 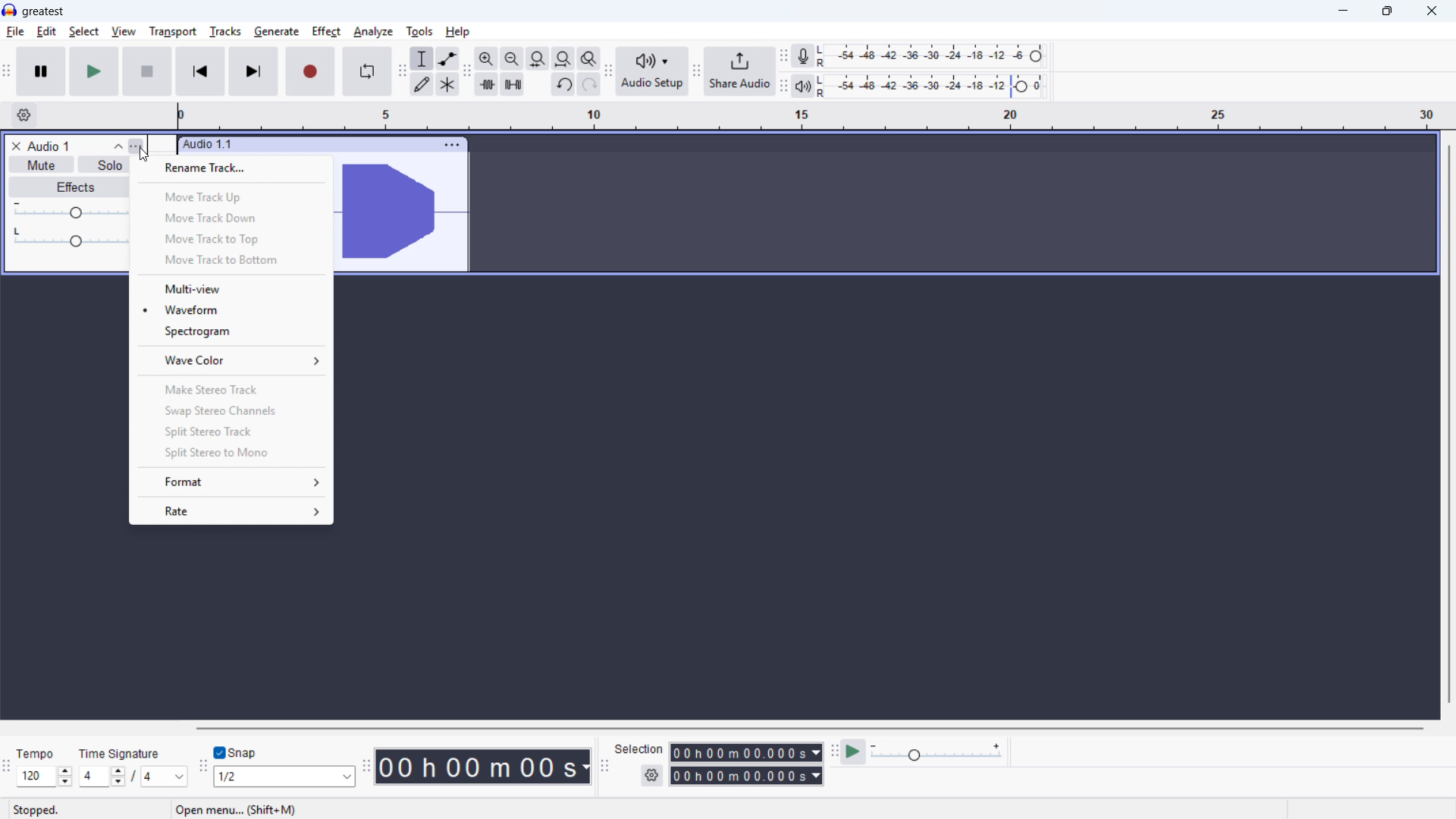 I want to click on silence audio selection, so click(x=513, y=85).